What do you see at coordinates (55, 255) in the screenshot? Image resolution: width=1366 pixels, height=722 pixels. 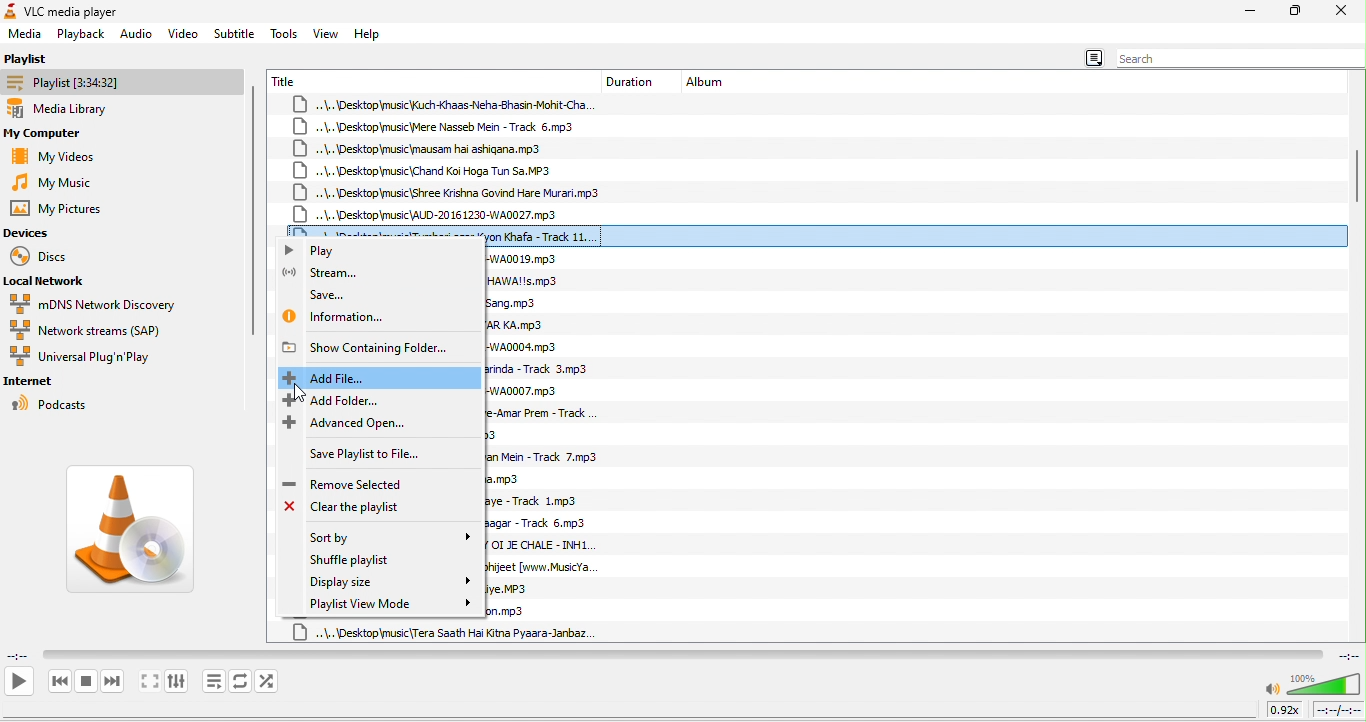 I see `discs` at bounding box center [55, 255].